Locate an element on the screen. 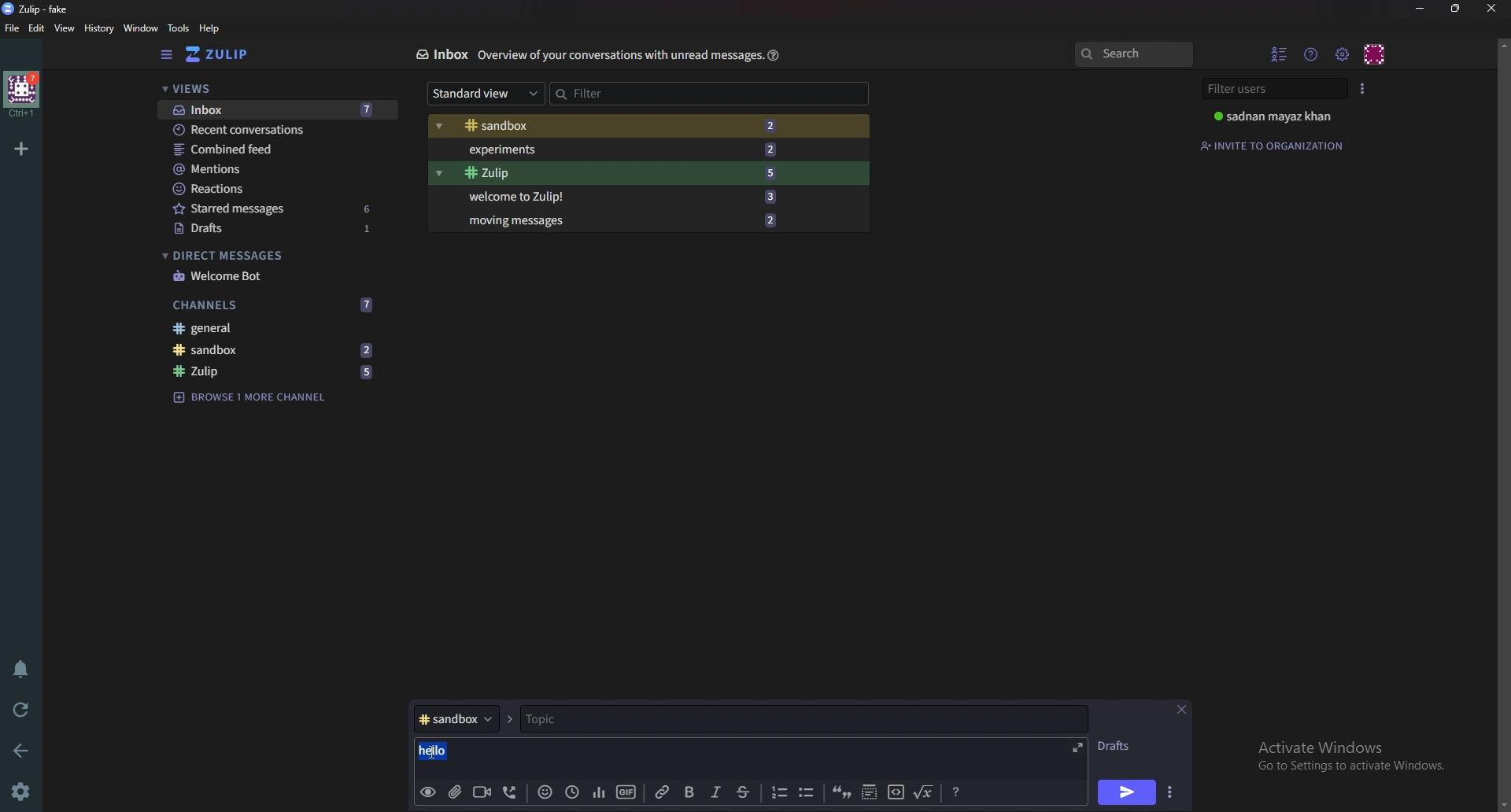 This screenshot has height=812, width=1511. send is located at coordinates (1125, 793).